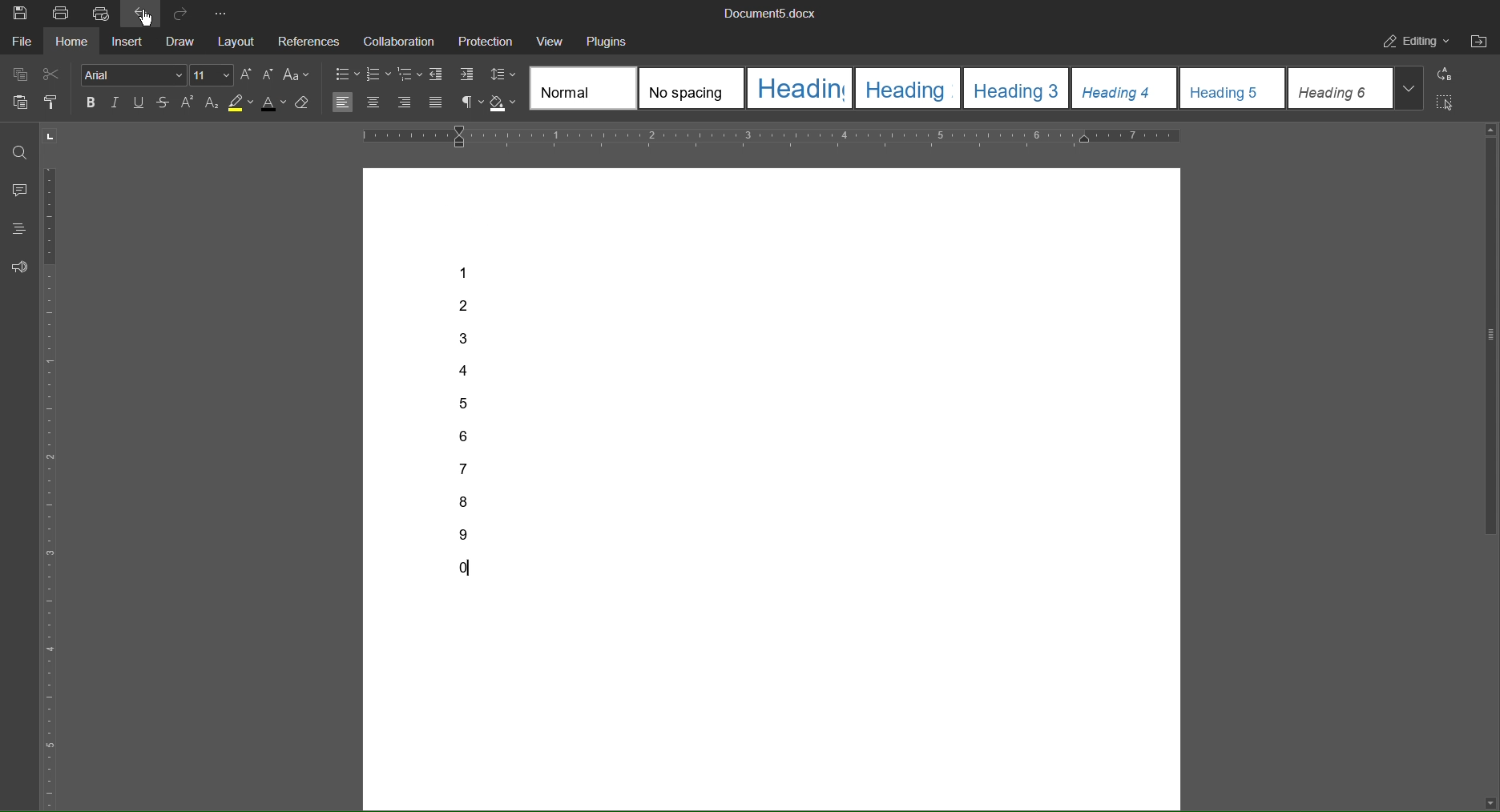  What do you see at coordinates (581, 88) in the screenshot?
I see `template` at bounding box center [581, 88].